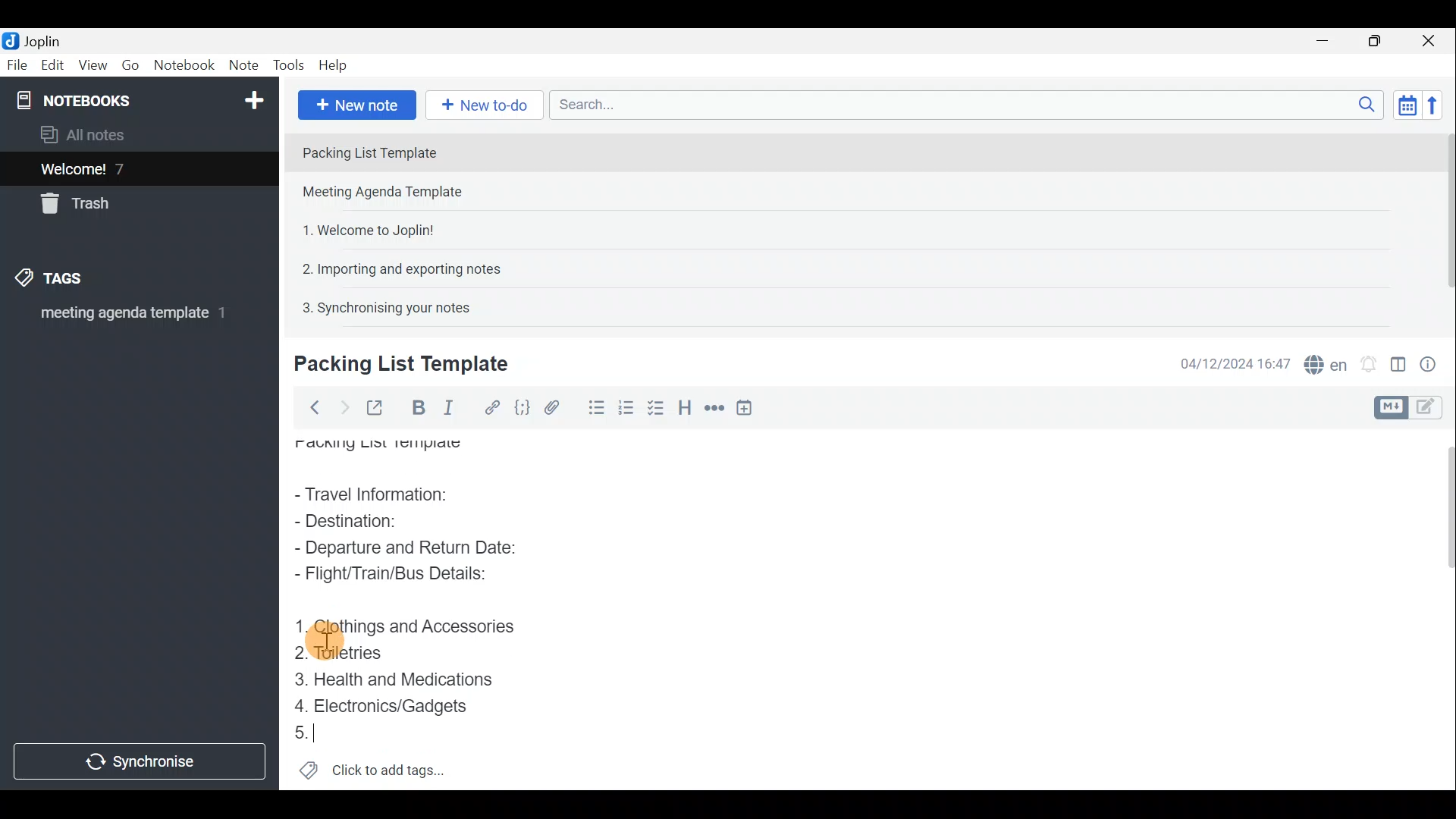 This screenshot has width=1456, height=819. Describe the element at coordinates (1235, 362) in the screenshot. I see `Date & time` at that location.